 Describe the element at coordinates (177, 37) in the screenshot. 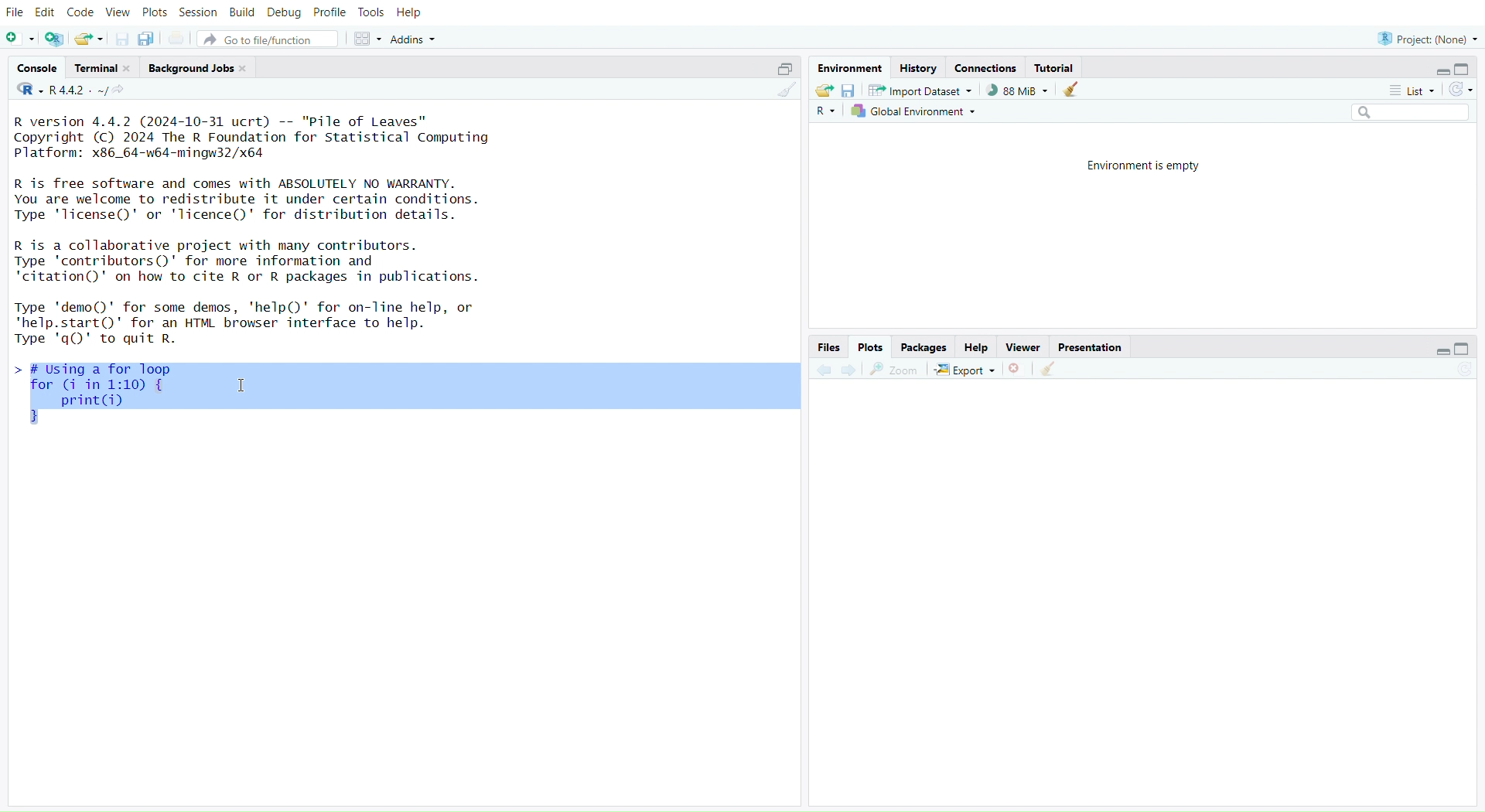

I see `print current file` at that location.